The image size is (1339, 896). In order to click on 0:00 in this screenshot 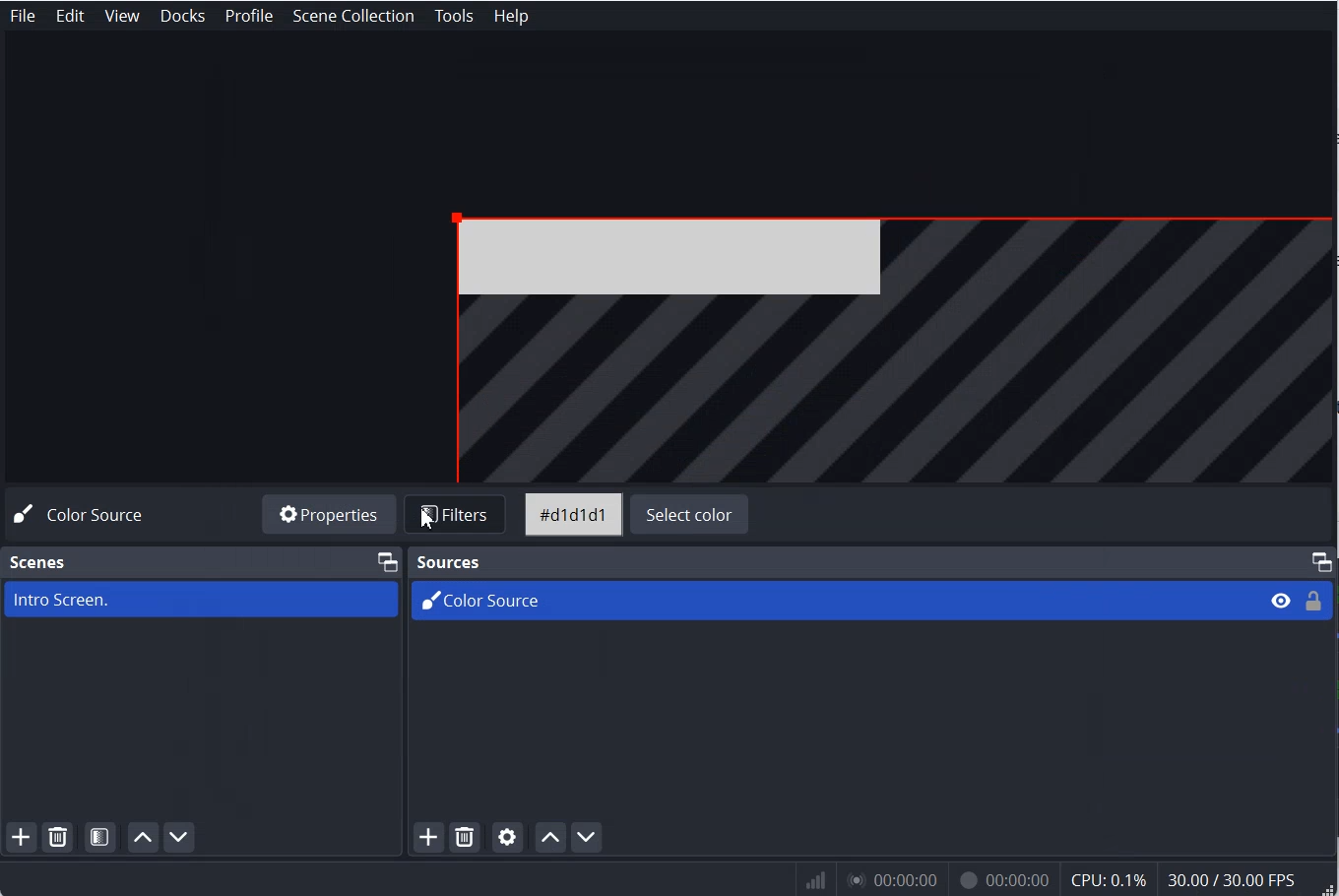, I will do `click(890, 882)`.